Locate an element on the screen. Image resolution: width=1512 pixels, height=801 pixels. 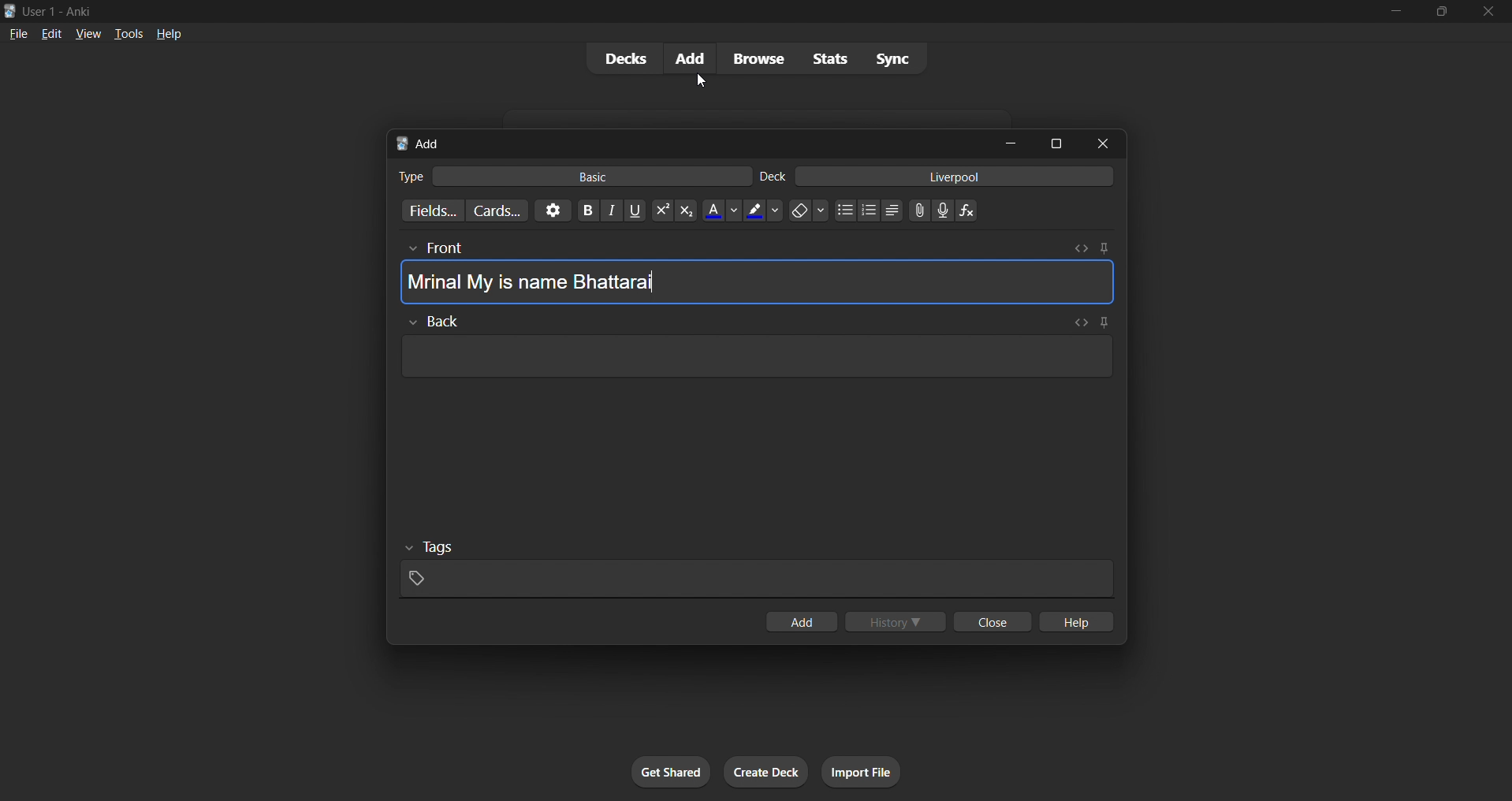
help is located at coordinates (1078, 621).